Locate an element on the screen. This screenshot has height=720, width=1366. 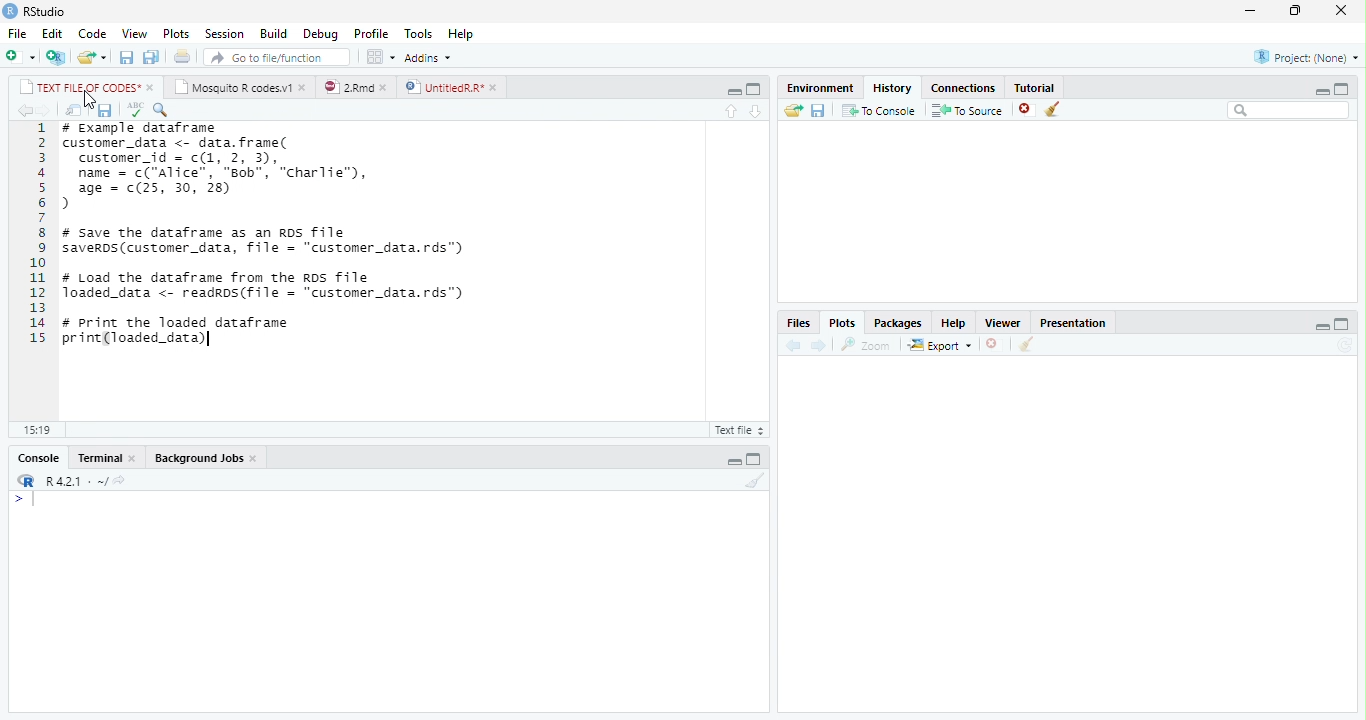
To Source is located at coordinates (966, 110).